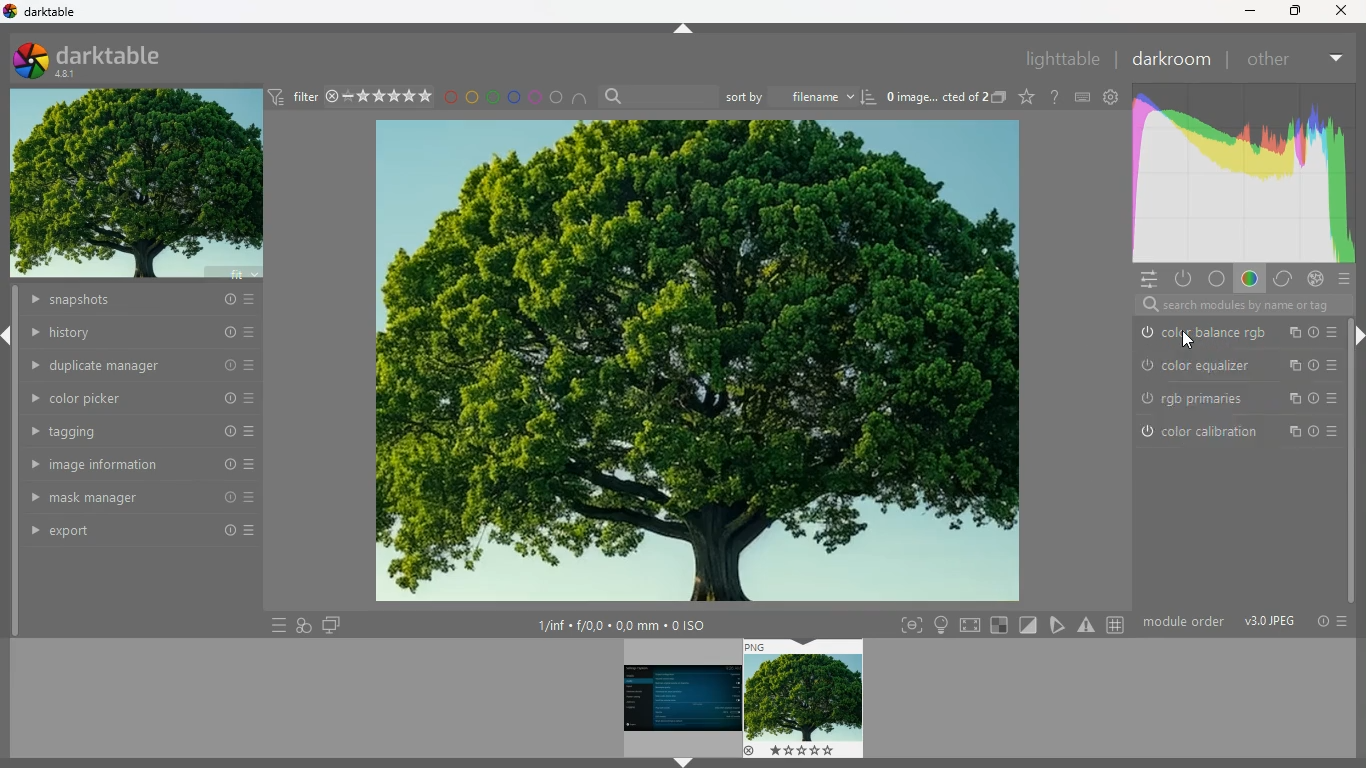 The image size is (1366, 768). I want to click on darktable, so click(104, 59).